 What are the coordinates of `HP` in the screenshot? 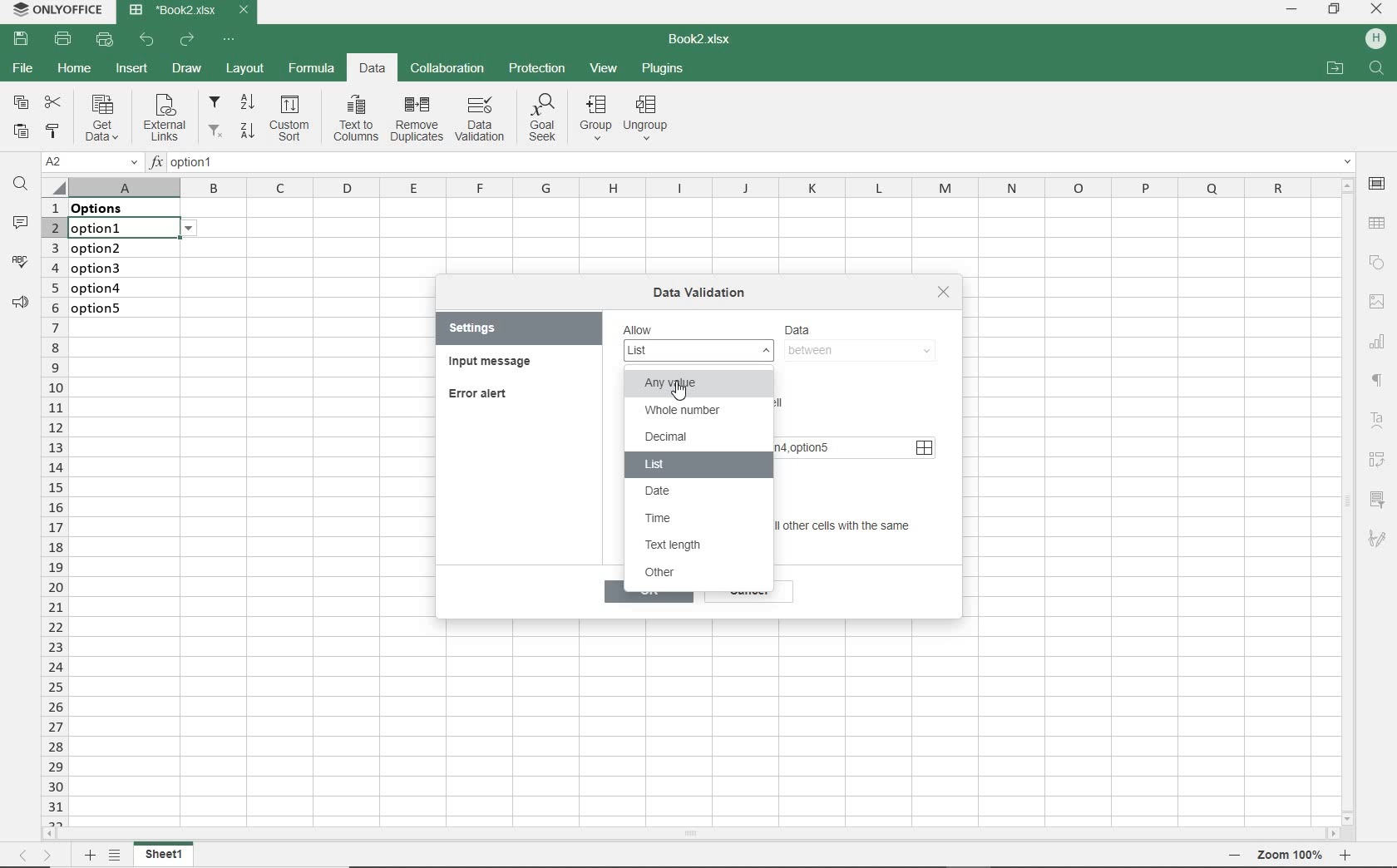 It's located at (1377, 40).